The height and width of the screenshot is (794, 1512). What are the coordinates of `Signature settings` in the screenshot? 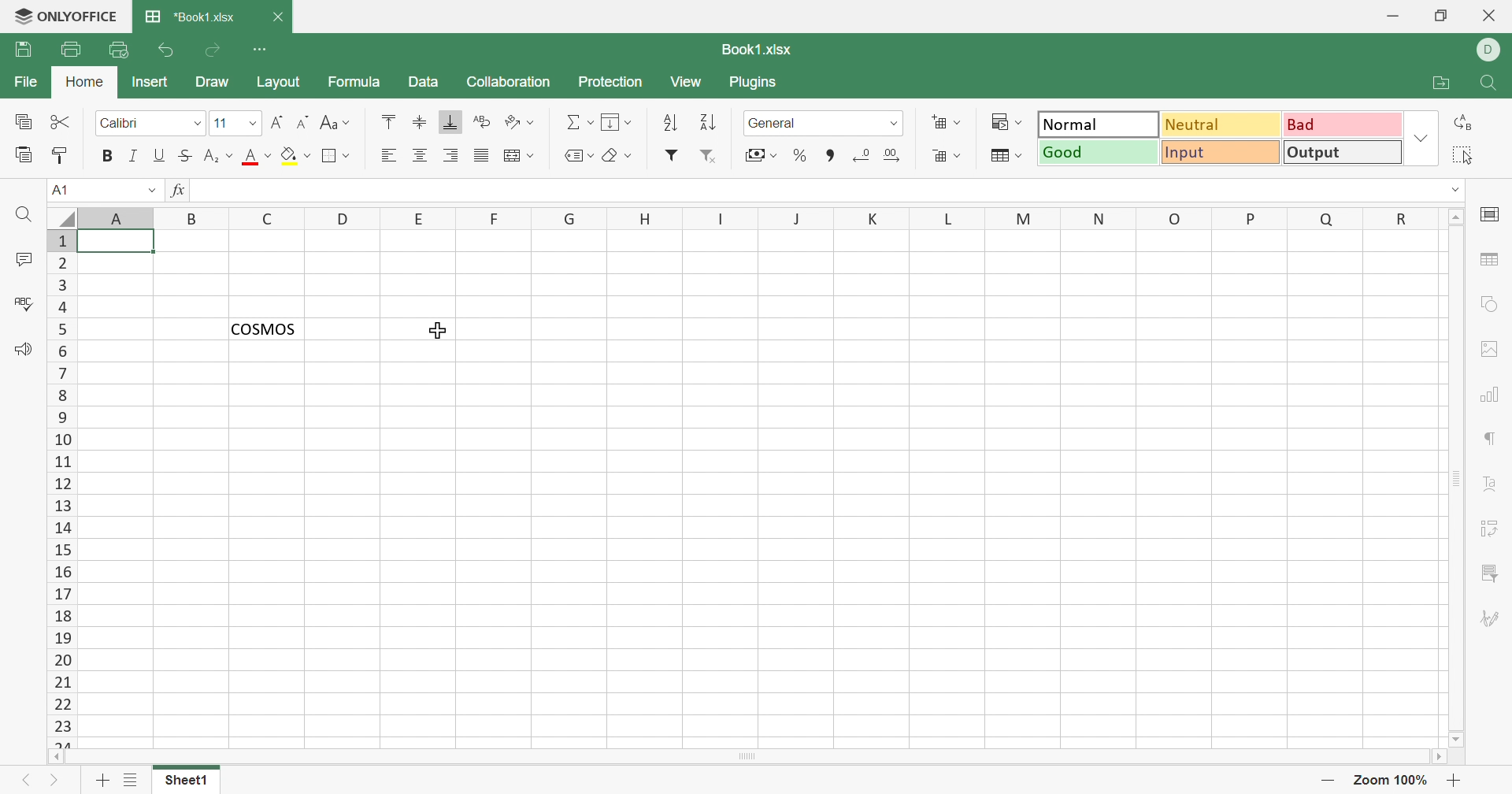 It's located at (1491, 618).